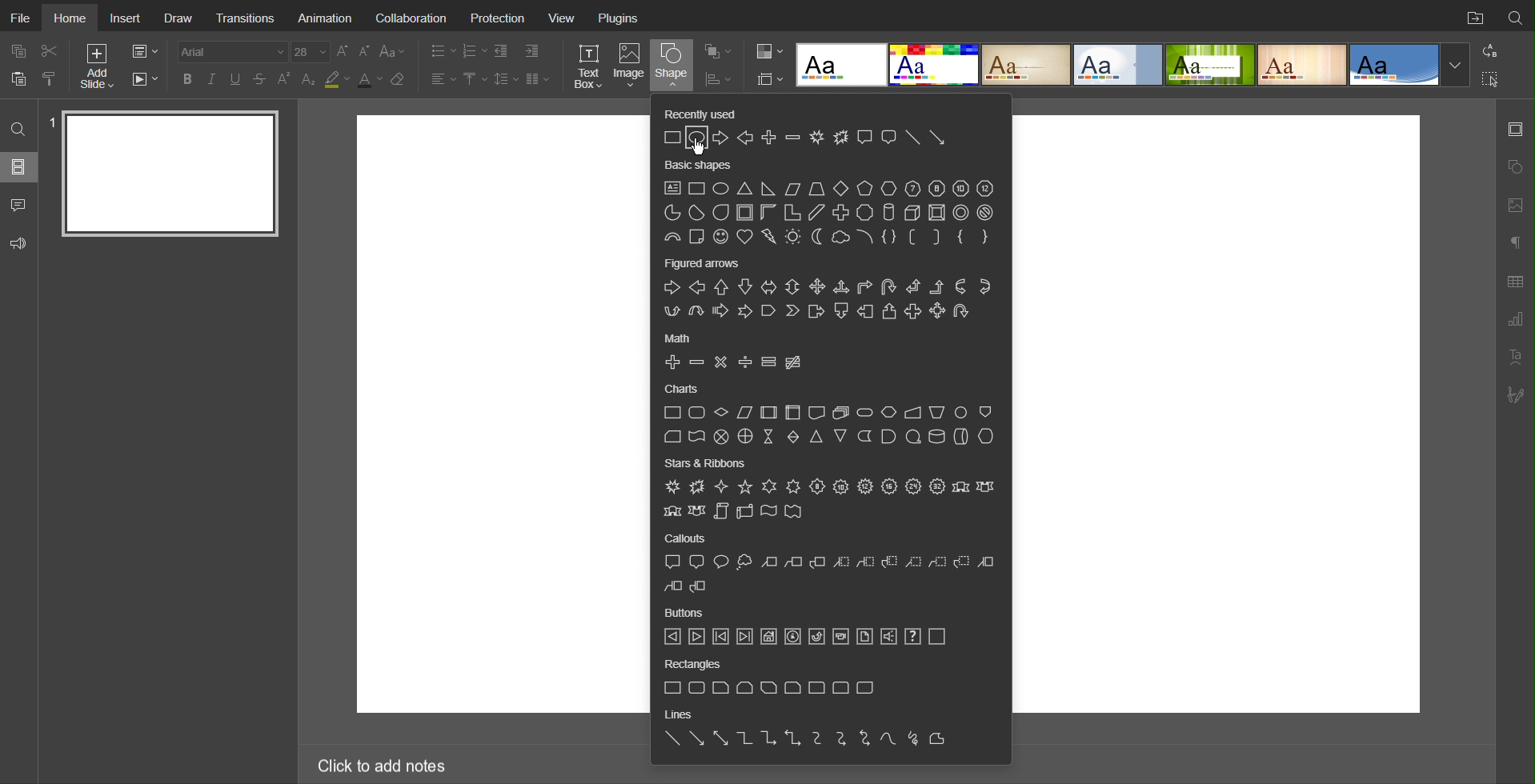 This screenshot has width=1535, height=784. Describe the element at coordinates (170, 172) in the screenshot. I see `Slide 1` at that location.